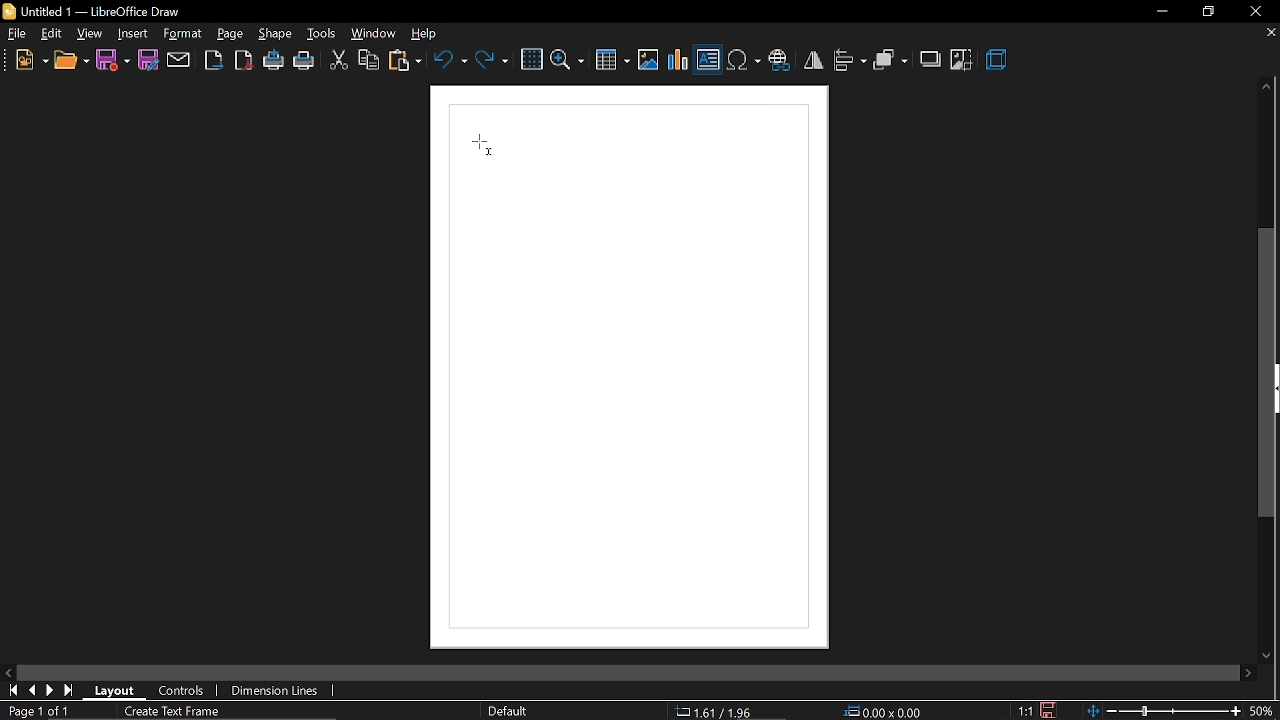 This screenshot has width=1280, height=720. Describe the element at coordinates (174, 712) in the screenshot. I see `create text frame` at that location.